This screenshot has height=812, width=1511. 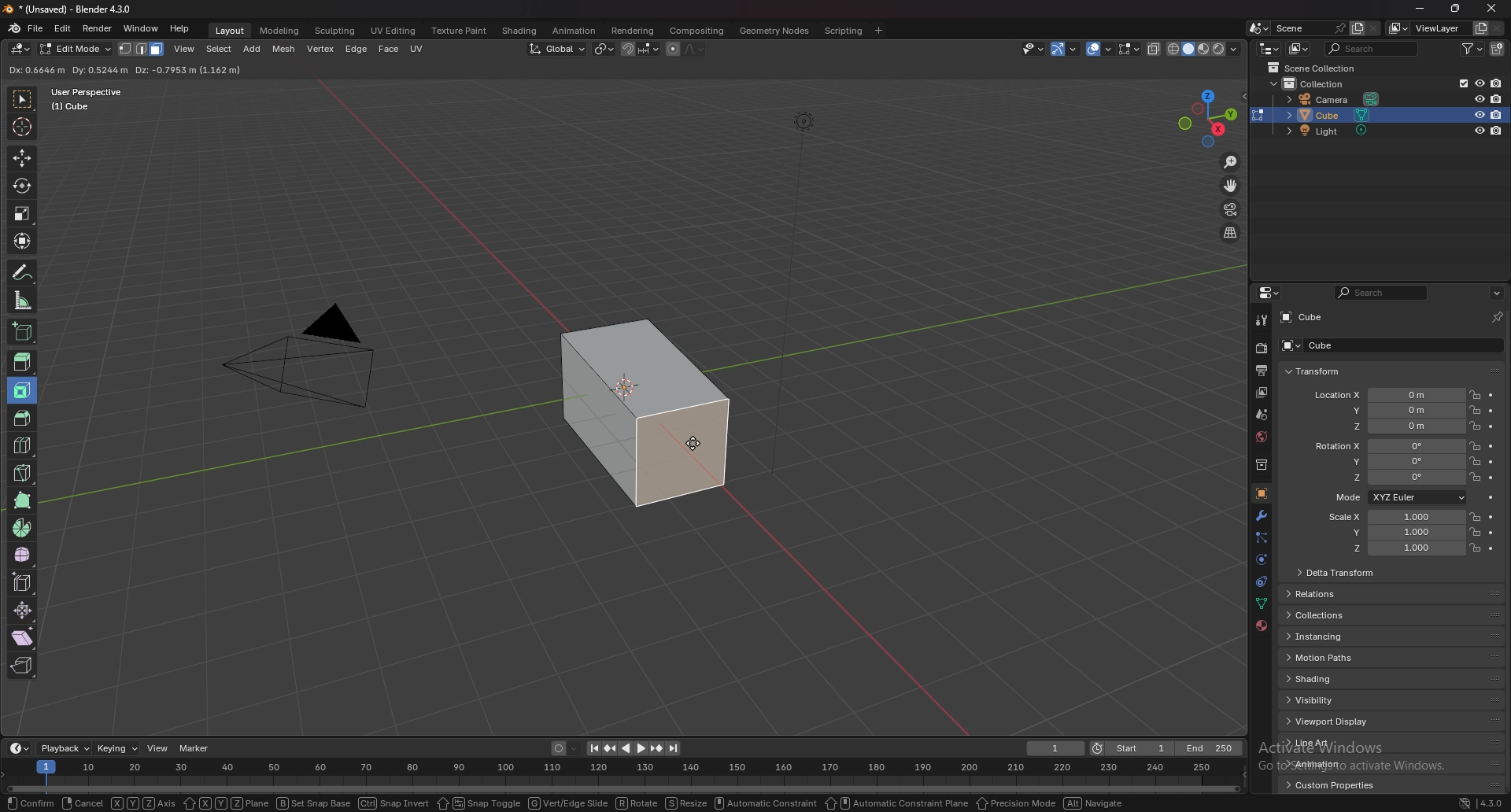 I want to click on move, so click(x=1232, y=186).